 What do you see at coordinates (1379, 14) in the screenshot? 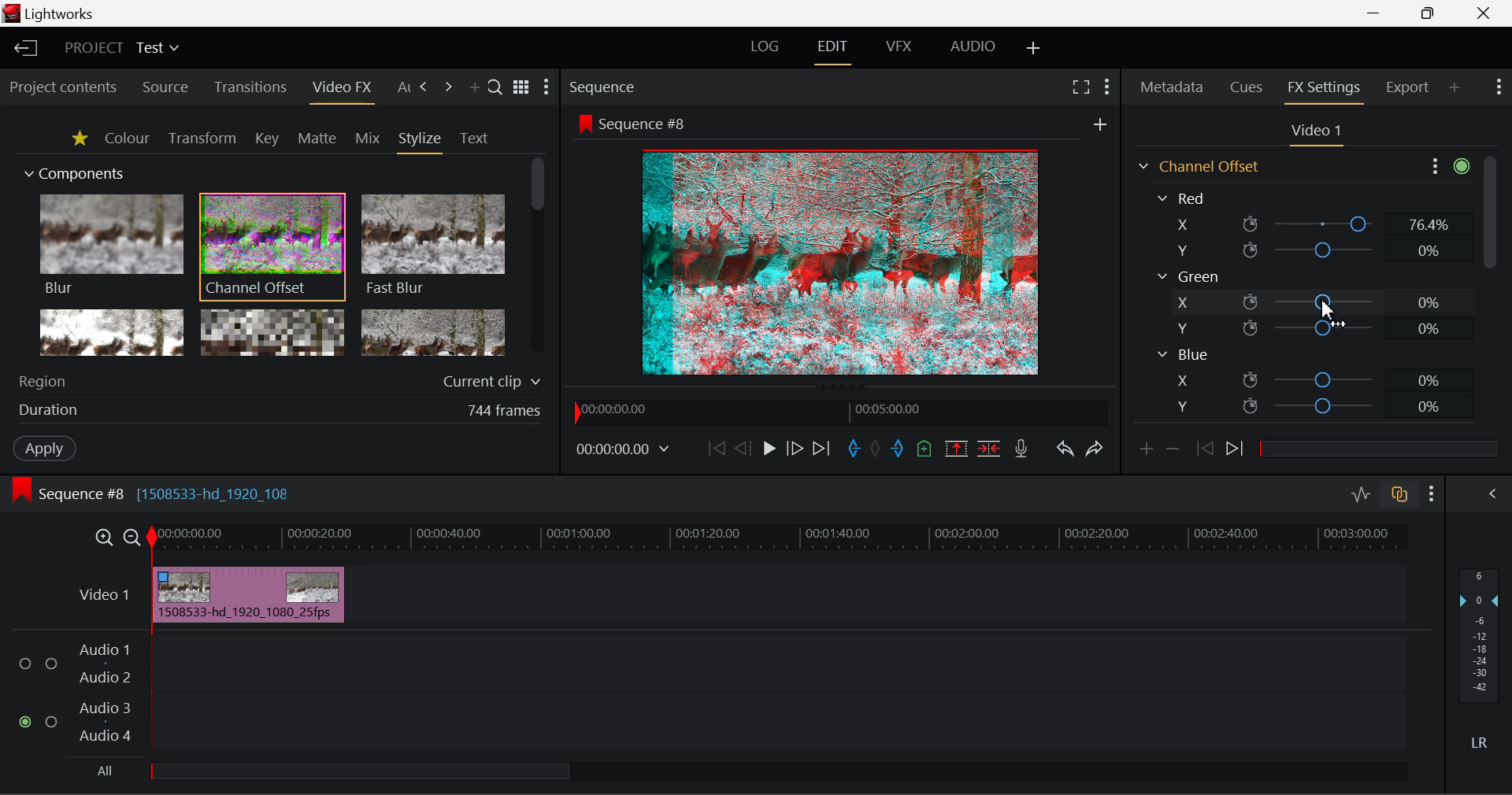
I see `Restore Down` at bounding box center [1379, 14].